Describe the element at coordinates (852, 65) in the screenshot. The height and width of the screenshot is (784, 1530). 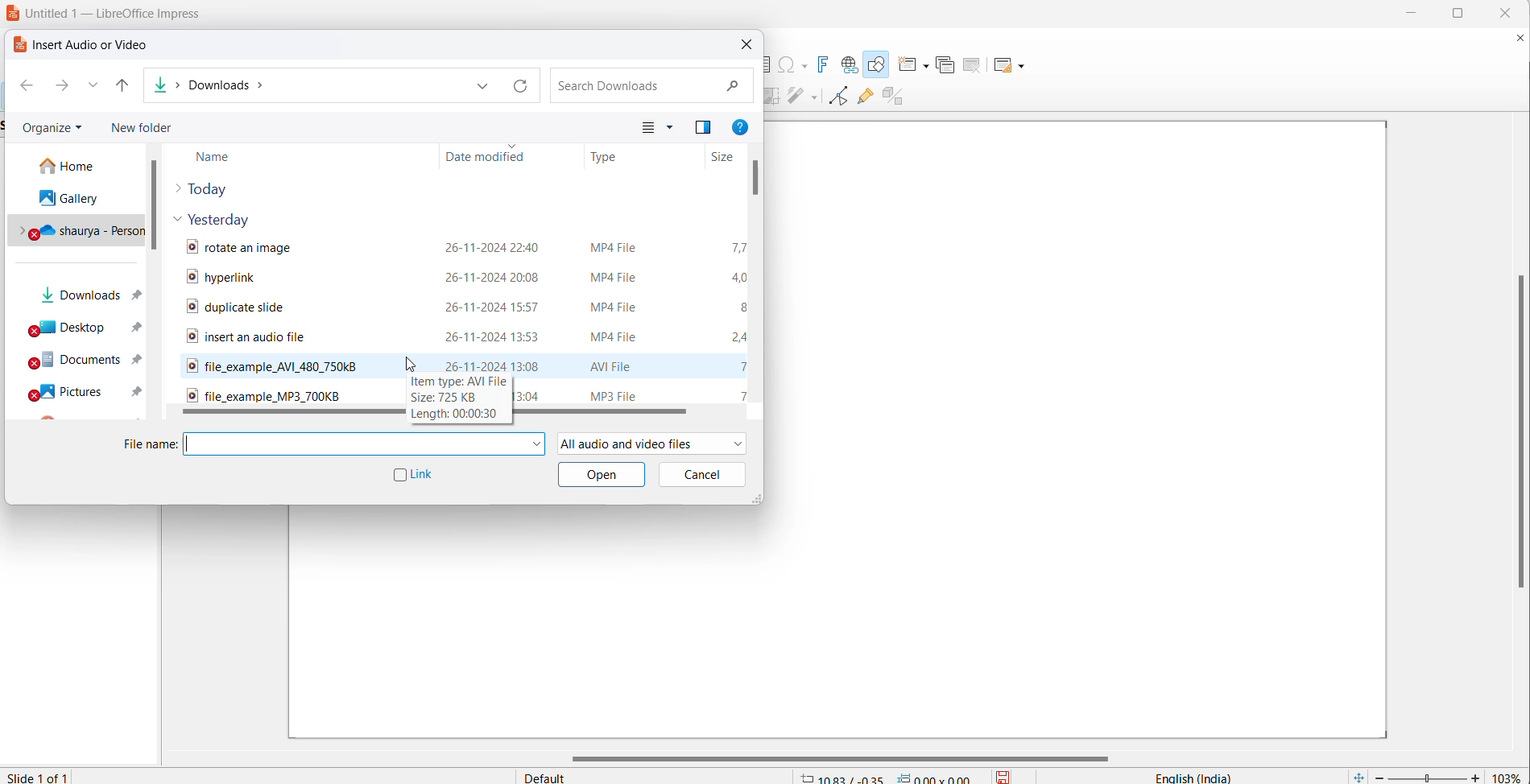
I see `insert hyperlink` at that location.